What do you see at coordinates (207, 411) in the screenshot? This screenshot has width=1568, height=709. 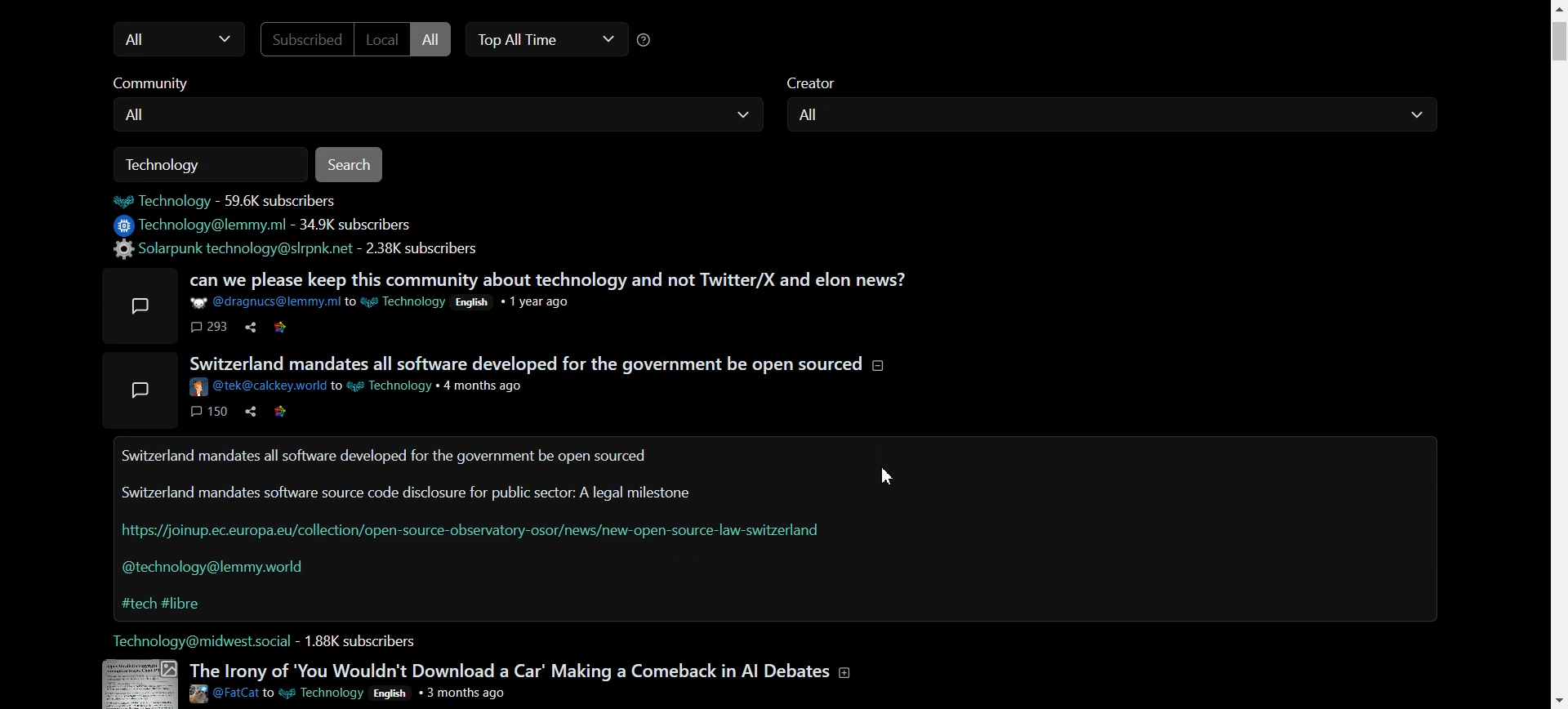 I see `150 comments` at bounding box center [207, 411].